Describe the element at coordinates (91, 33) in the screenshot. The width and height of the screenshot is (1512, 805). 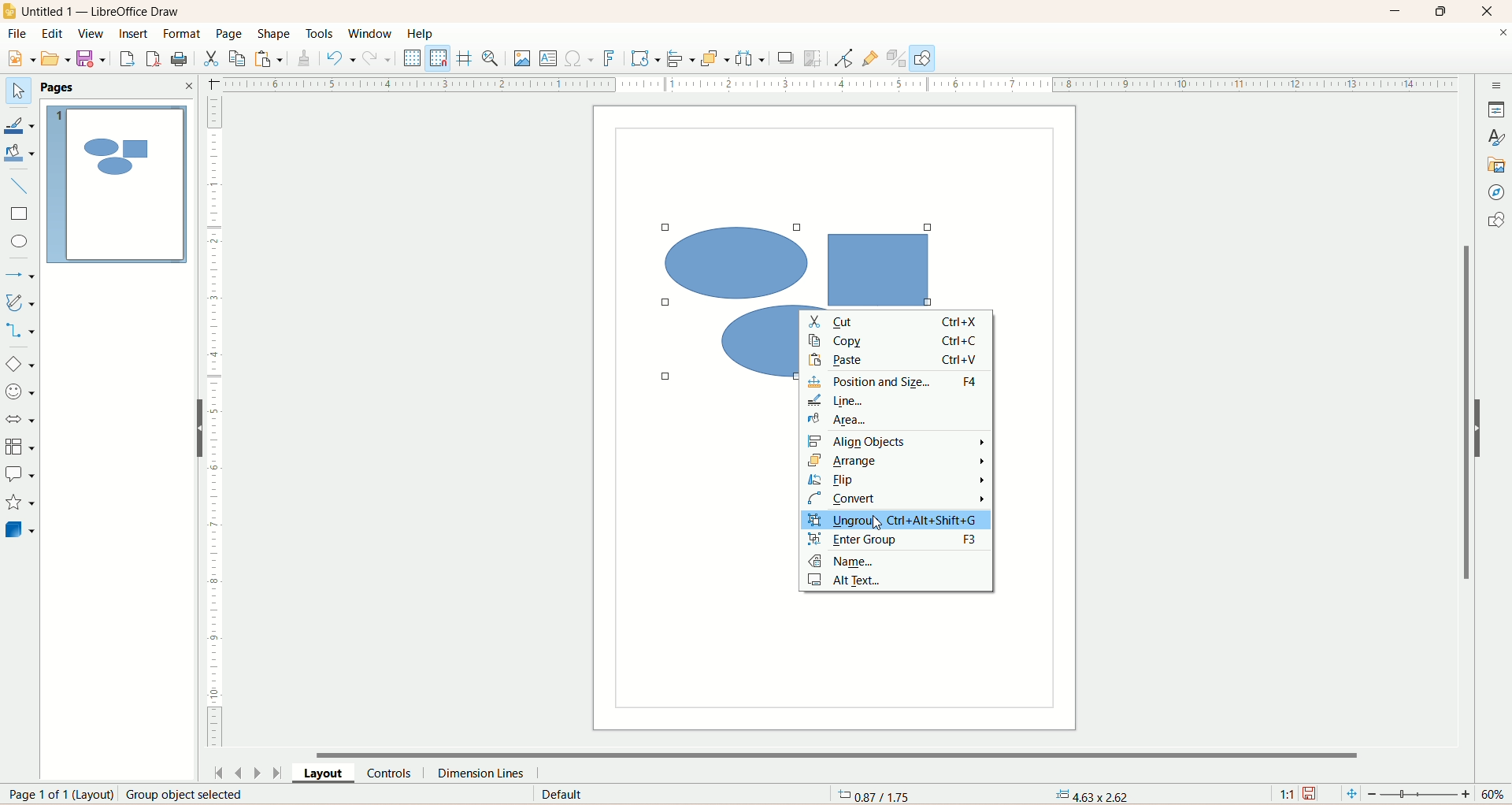
I see `view` at that location.